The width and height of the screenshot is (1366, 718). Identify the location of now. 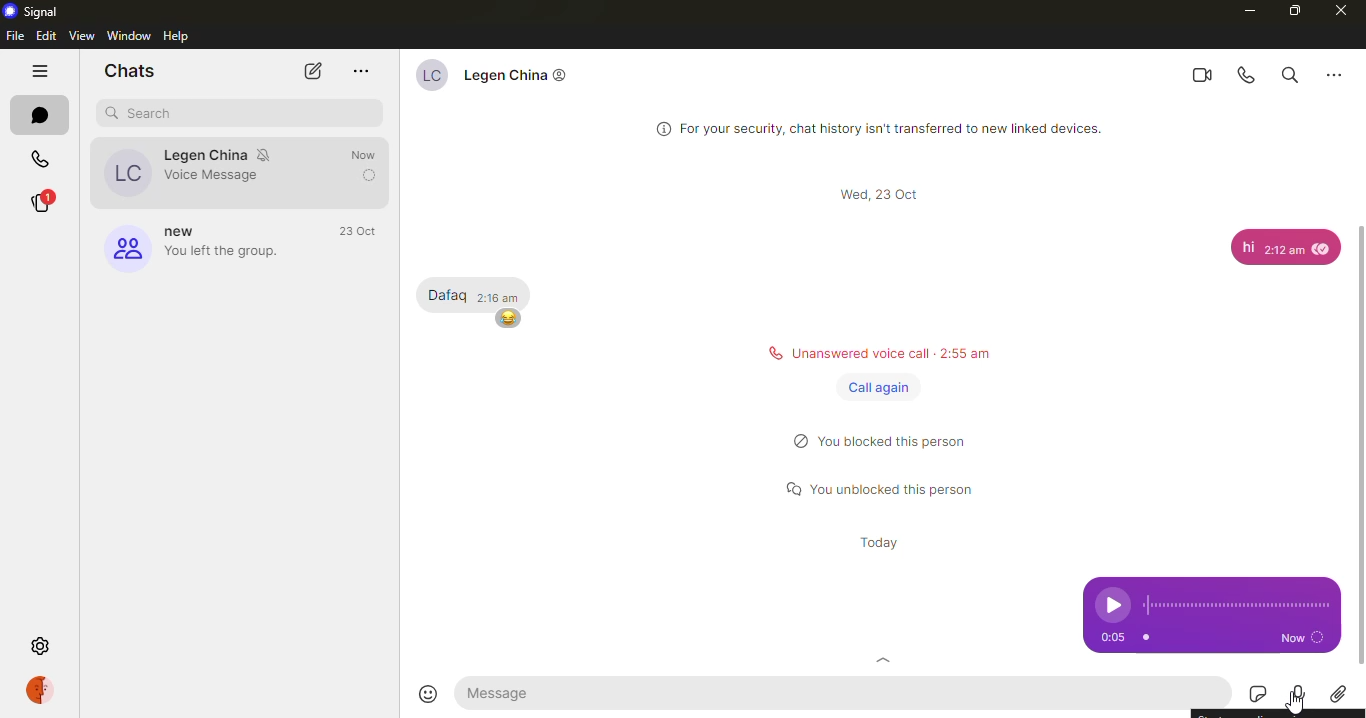
(1301, 637).